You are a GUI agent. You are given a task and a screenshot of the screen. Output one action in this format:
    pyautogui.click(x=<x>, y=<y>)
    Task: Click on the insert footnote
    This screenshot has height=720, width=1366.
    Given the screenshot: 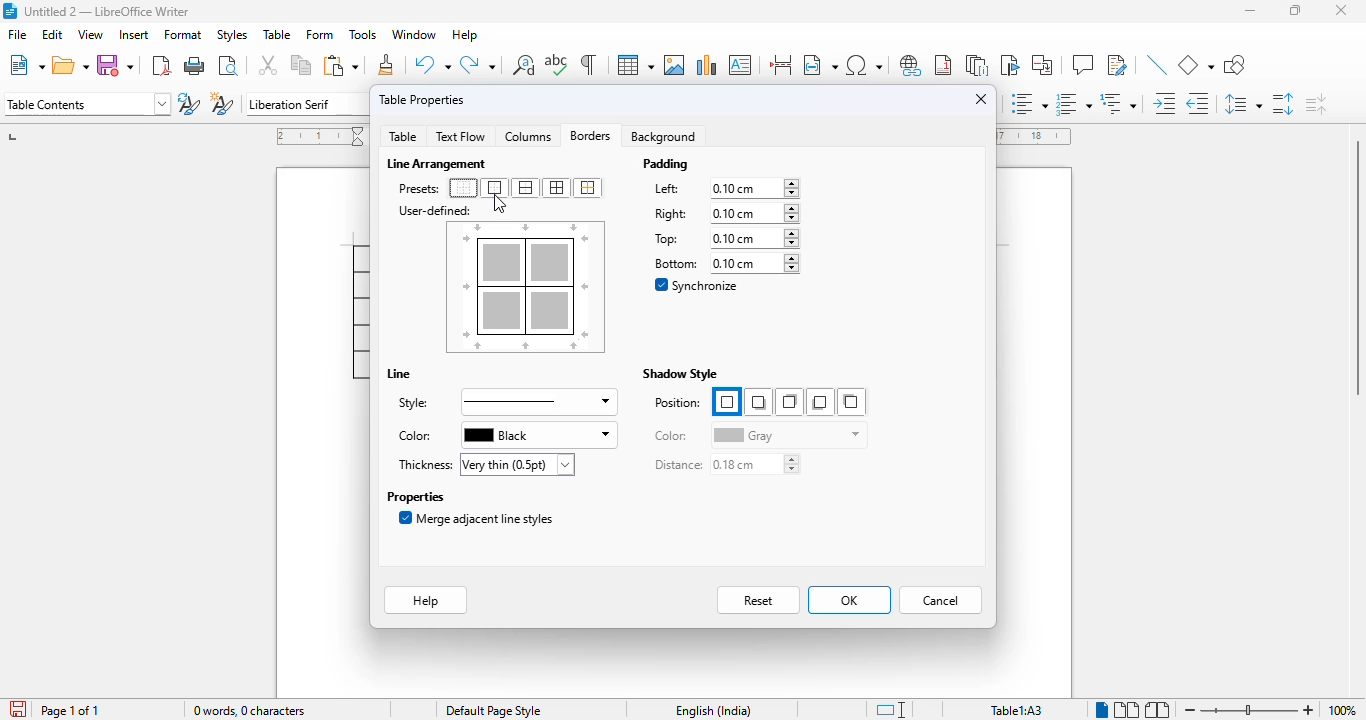 What is the action you would take?
    pyautogui.click(x=943, y=65)
    